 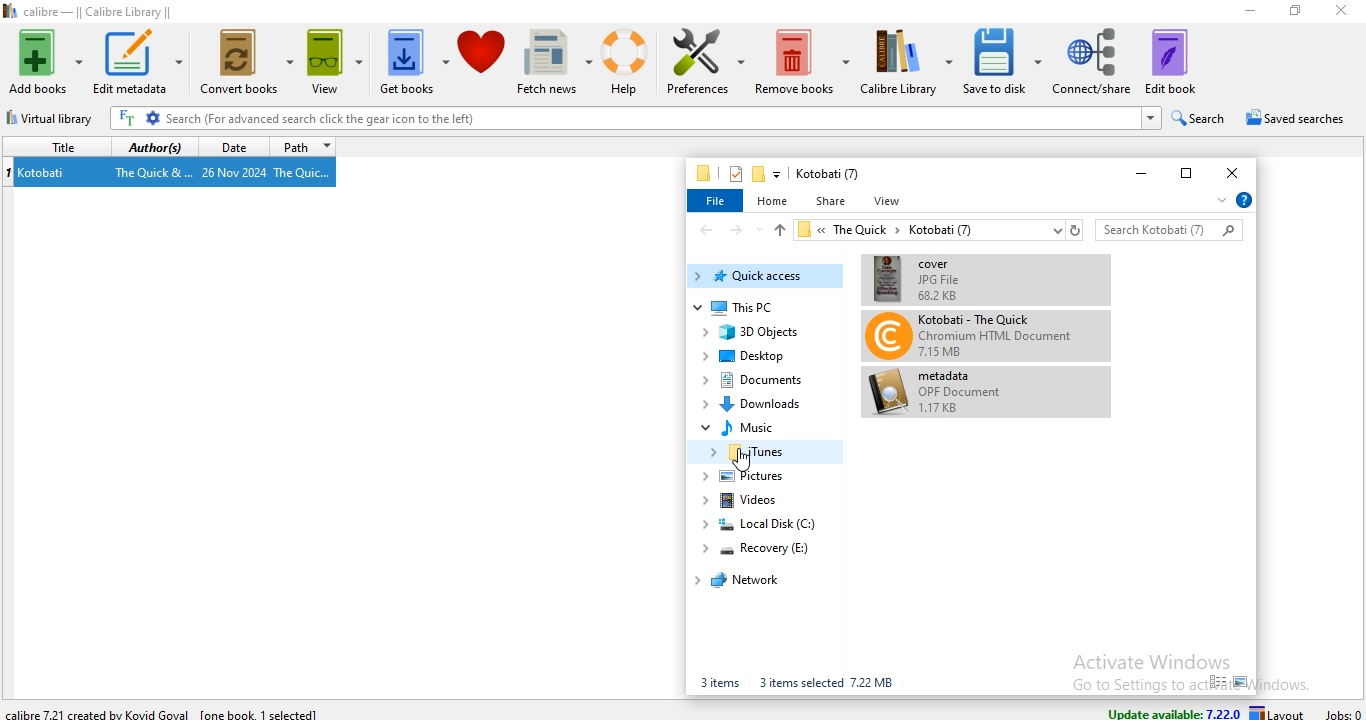 I want to click on restore, so click(x=1292, y=10).